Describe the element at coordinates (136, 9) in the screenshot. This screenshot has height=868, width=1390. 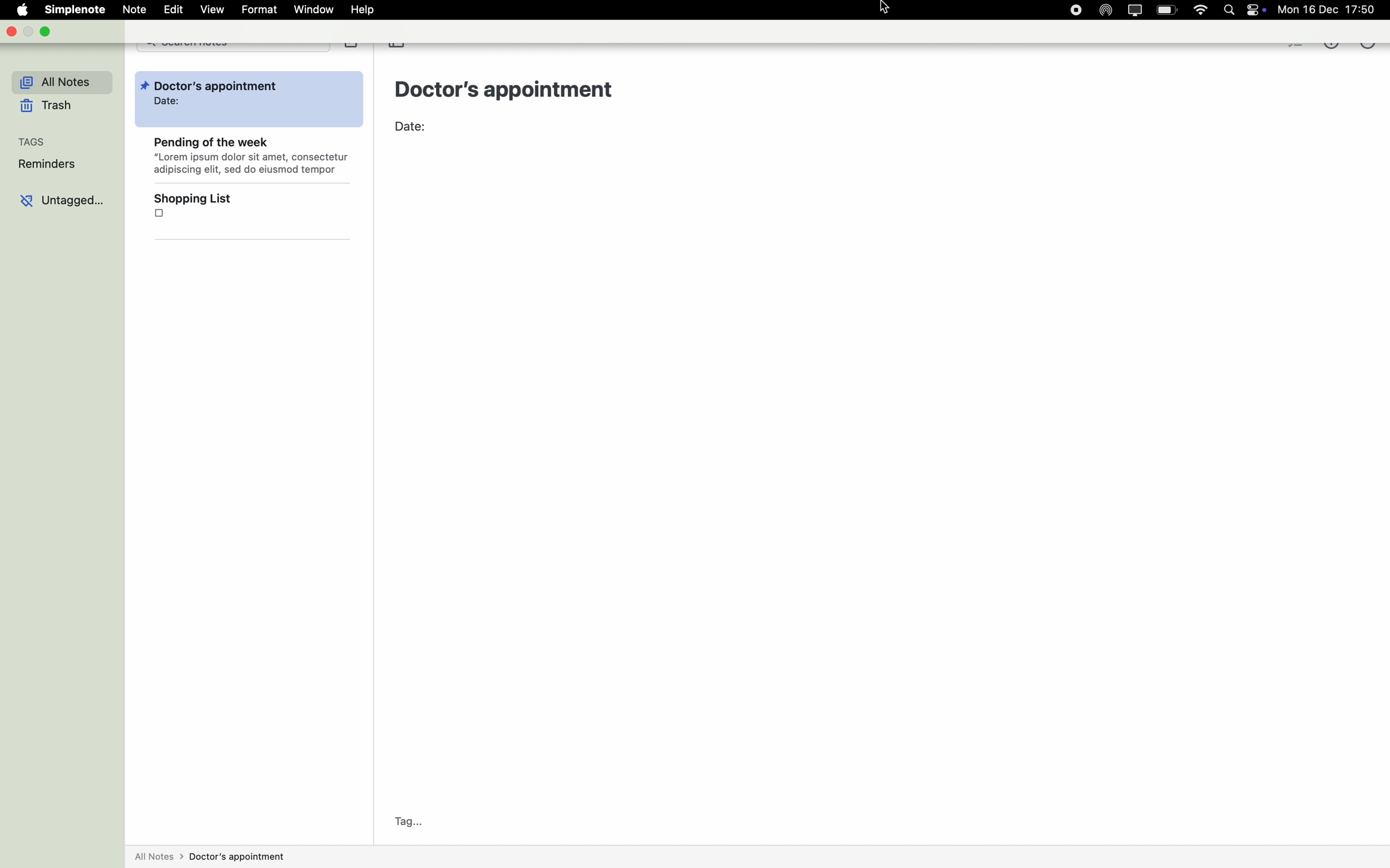
I see `note` at that location.